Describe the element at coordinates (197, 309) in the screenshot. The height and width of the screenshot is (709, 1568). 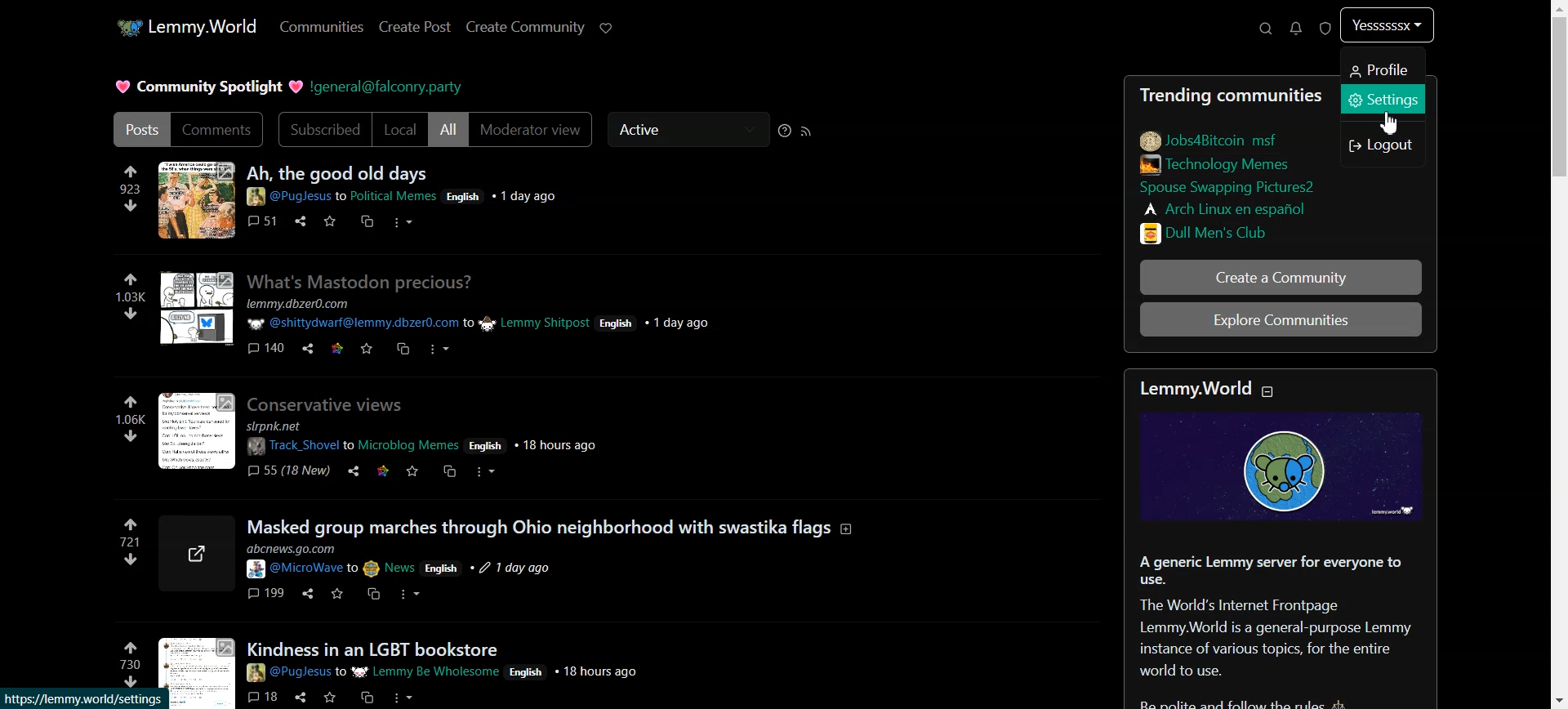
I see `` at that location.